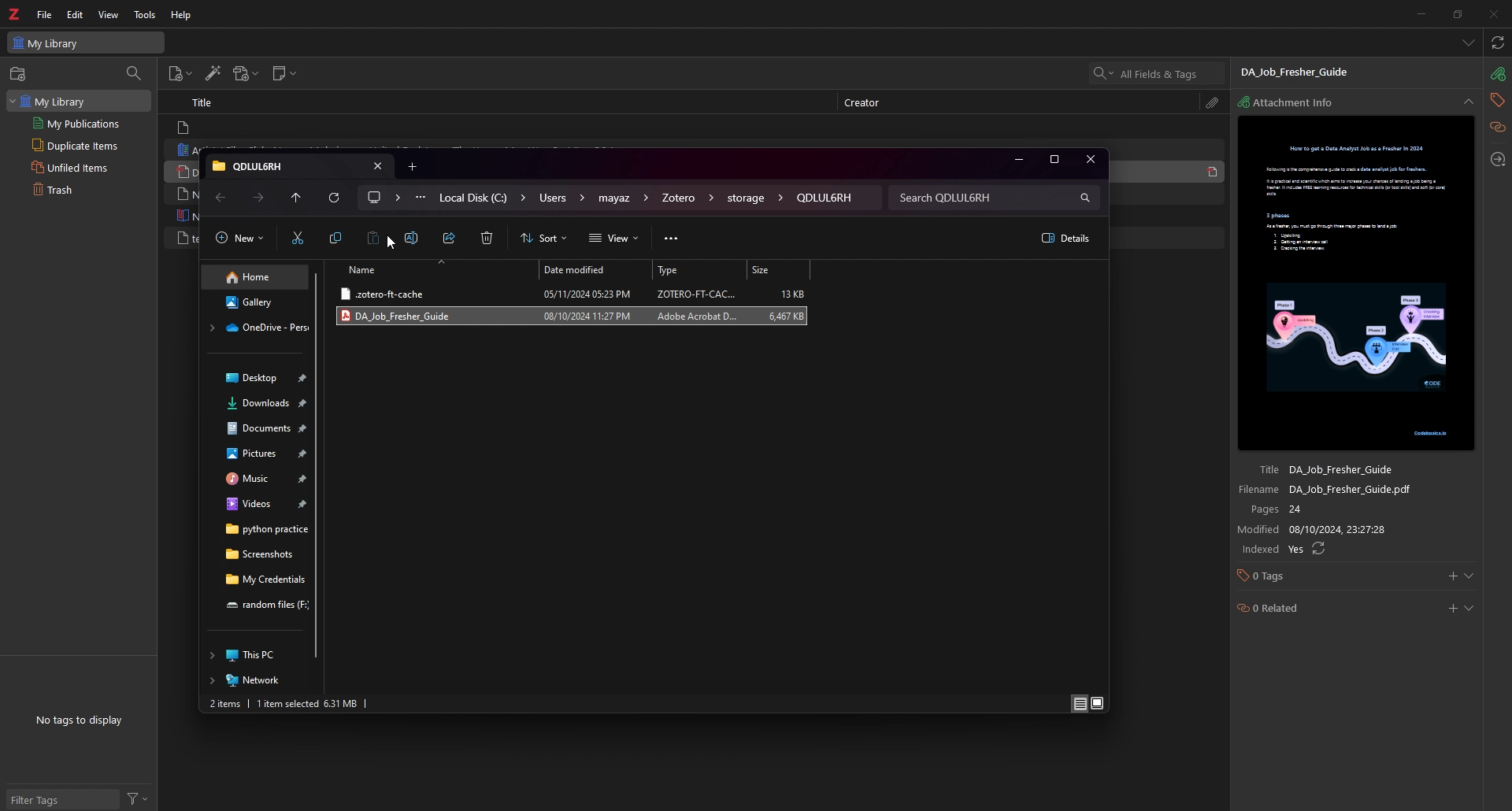 Image resolution: width=1512 pixels, height=811 pixels. What do you see at coordinates (826, 197) in the screenshot?
I see `folder` at bounding box center [826, 197].